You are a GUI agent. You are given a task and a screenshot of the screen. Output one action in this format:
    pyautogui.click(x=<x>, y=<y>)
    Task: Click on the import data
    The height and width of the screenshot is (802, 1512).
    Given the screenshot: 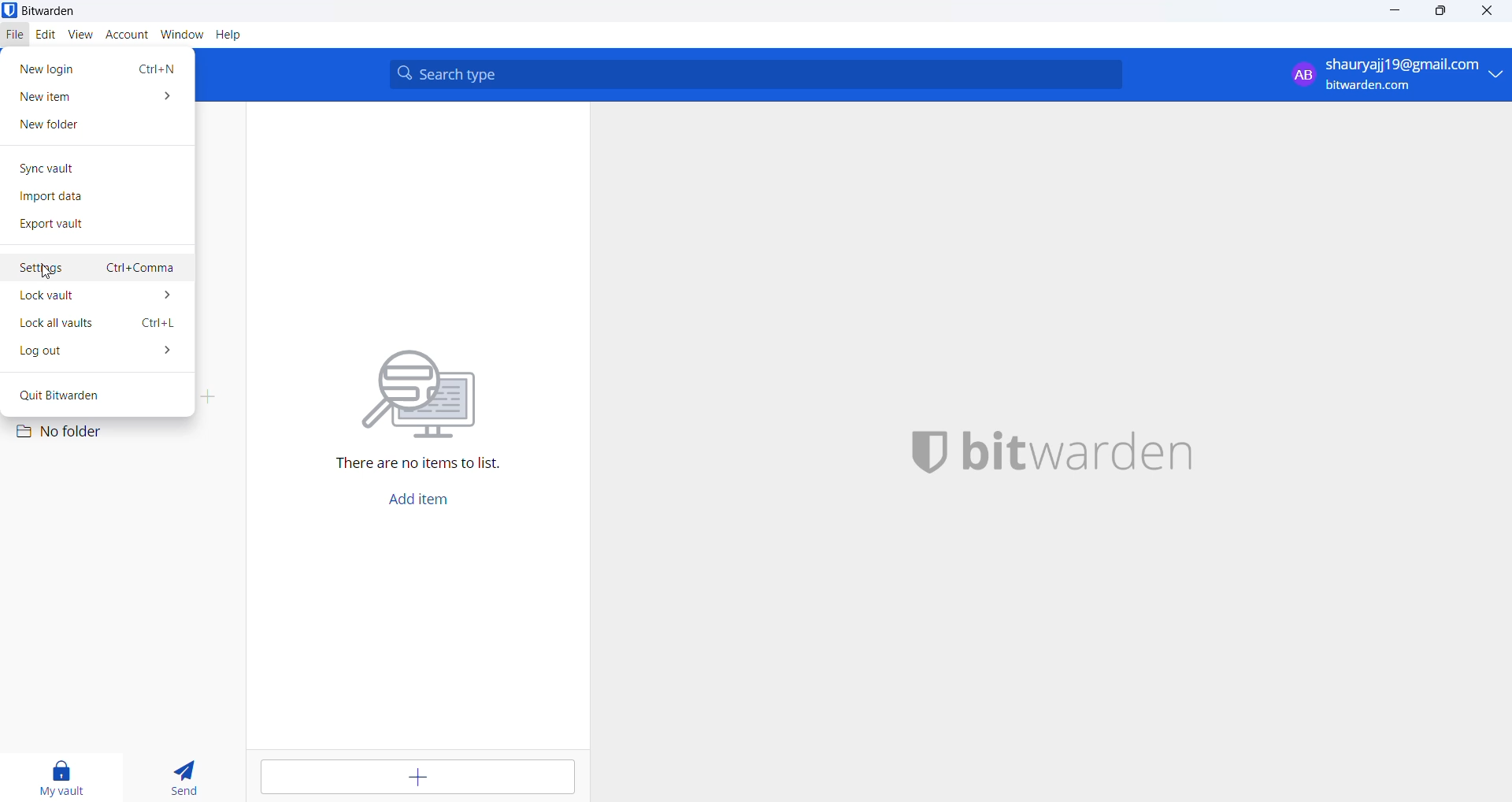 What is the action you would take?
    pyautogui.click(x=93, y=199)
    